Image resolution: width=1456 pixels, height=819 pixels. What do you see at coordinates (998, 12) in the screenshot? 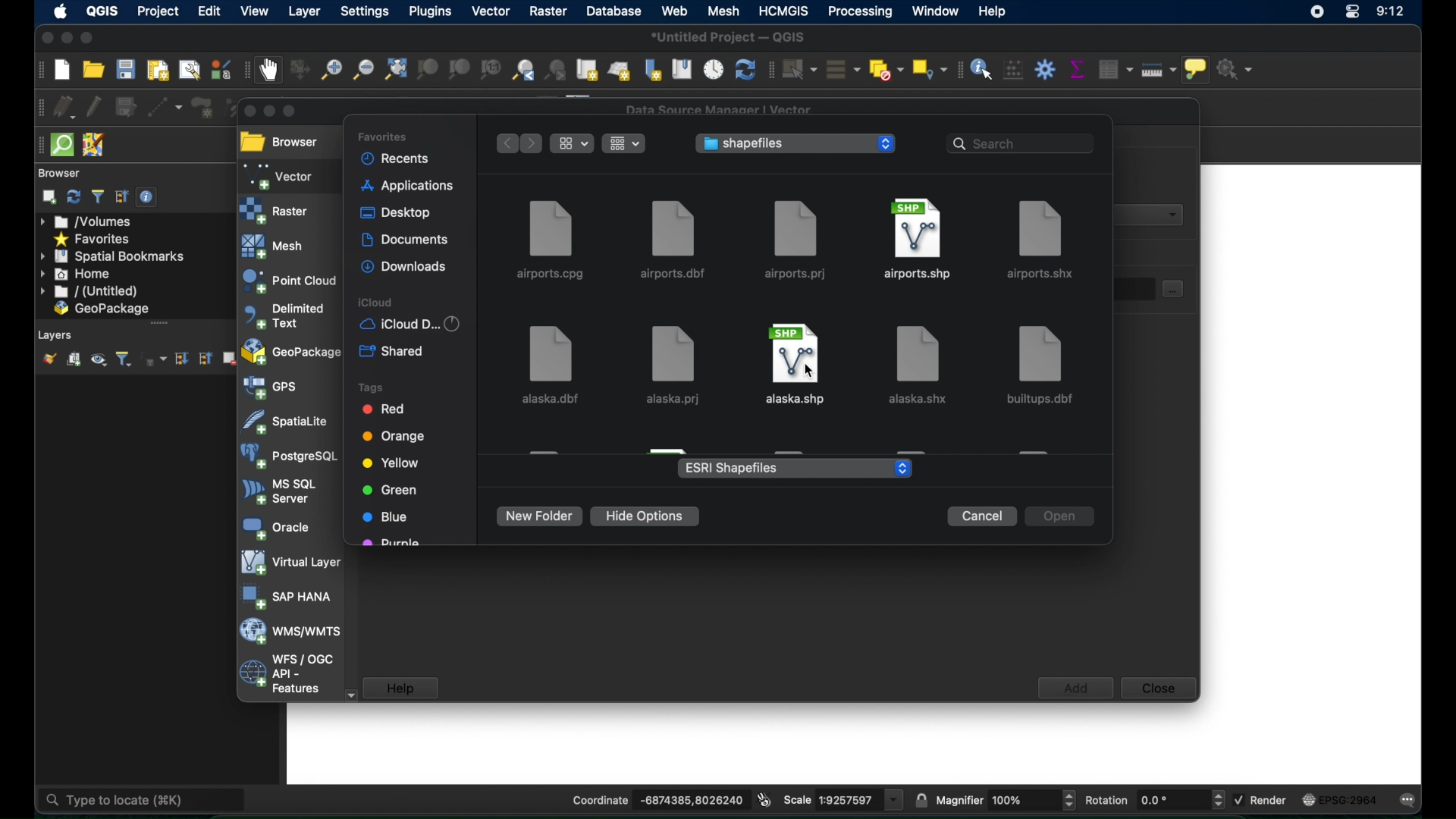
I see `help` at bounding box center [998, 12].